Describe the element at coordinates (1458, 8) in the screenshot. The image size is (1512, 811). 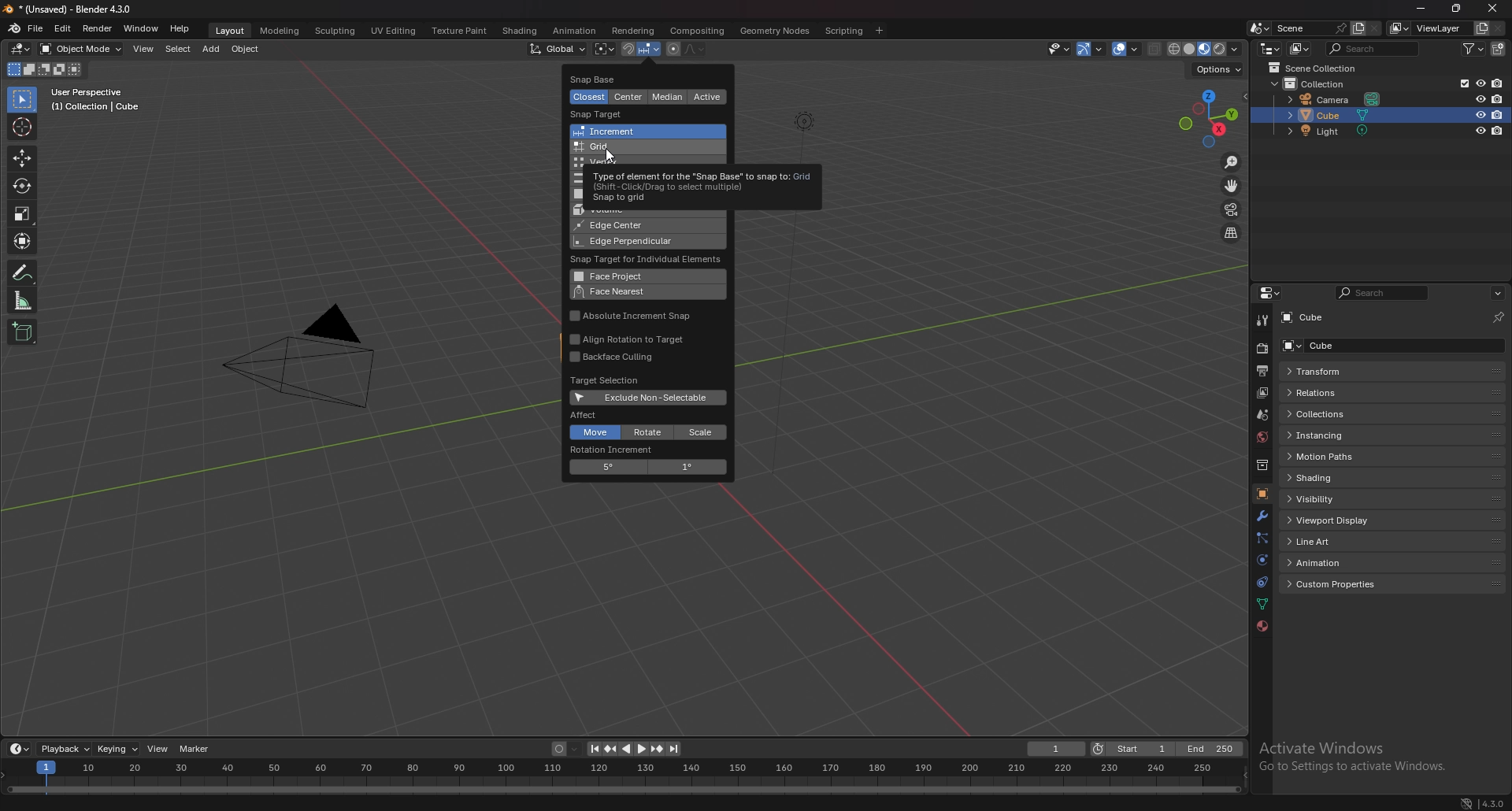
I see `resize` at that location.